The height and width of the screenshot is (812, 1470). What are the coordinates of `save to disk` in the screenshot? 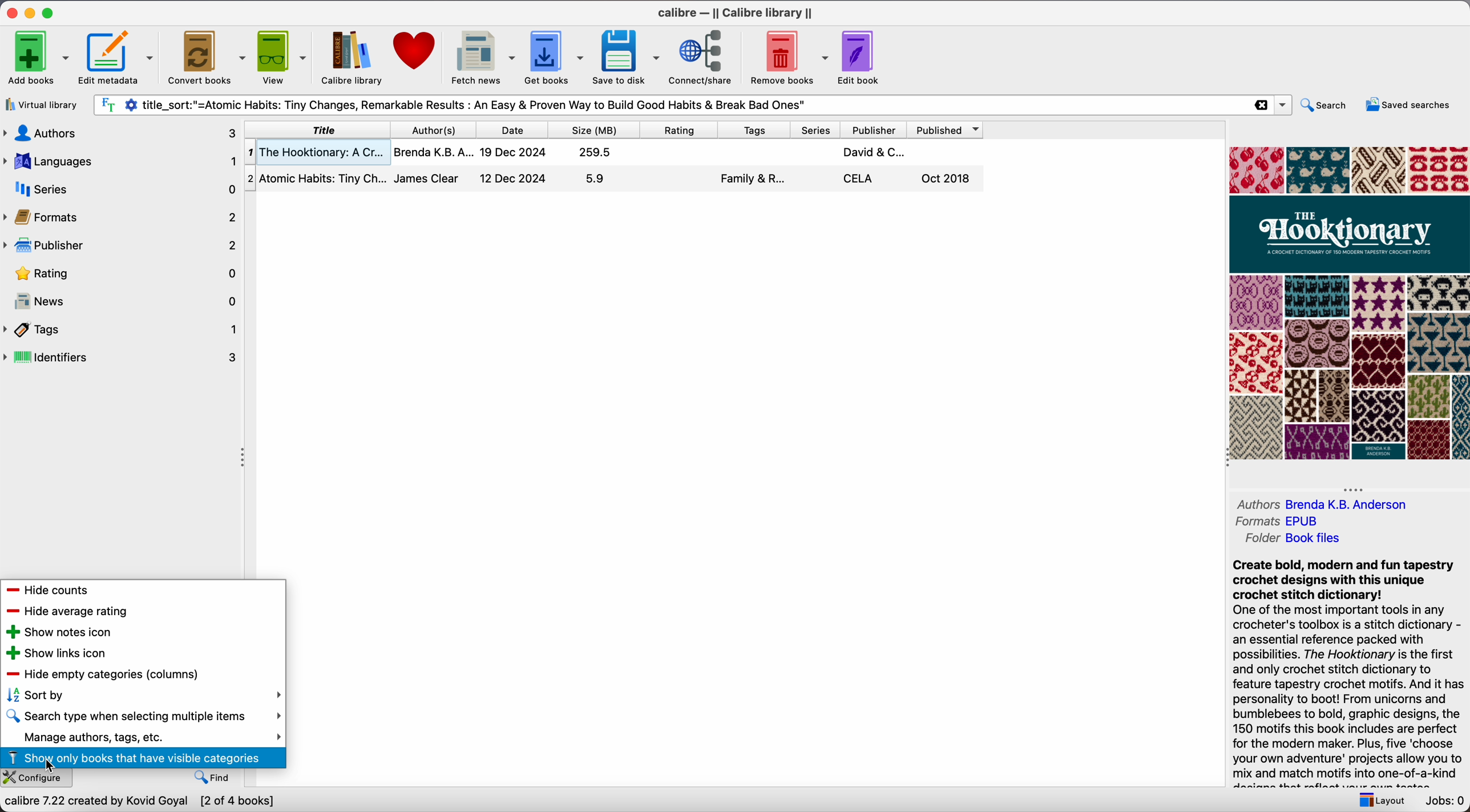 It's located at (629, 56).